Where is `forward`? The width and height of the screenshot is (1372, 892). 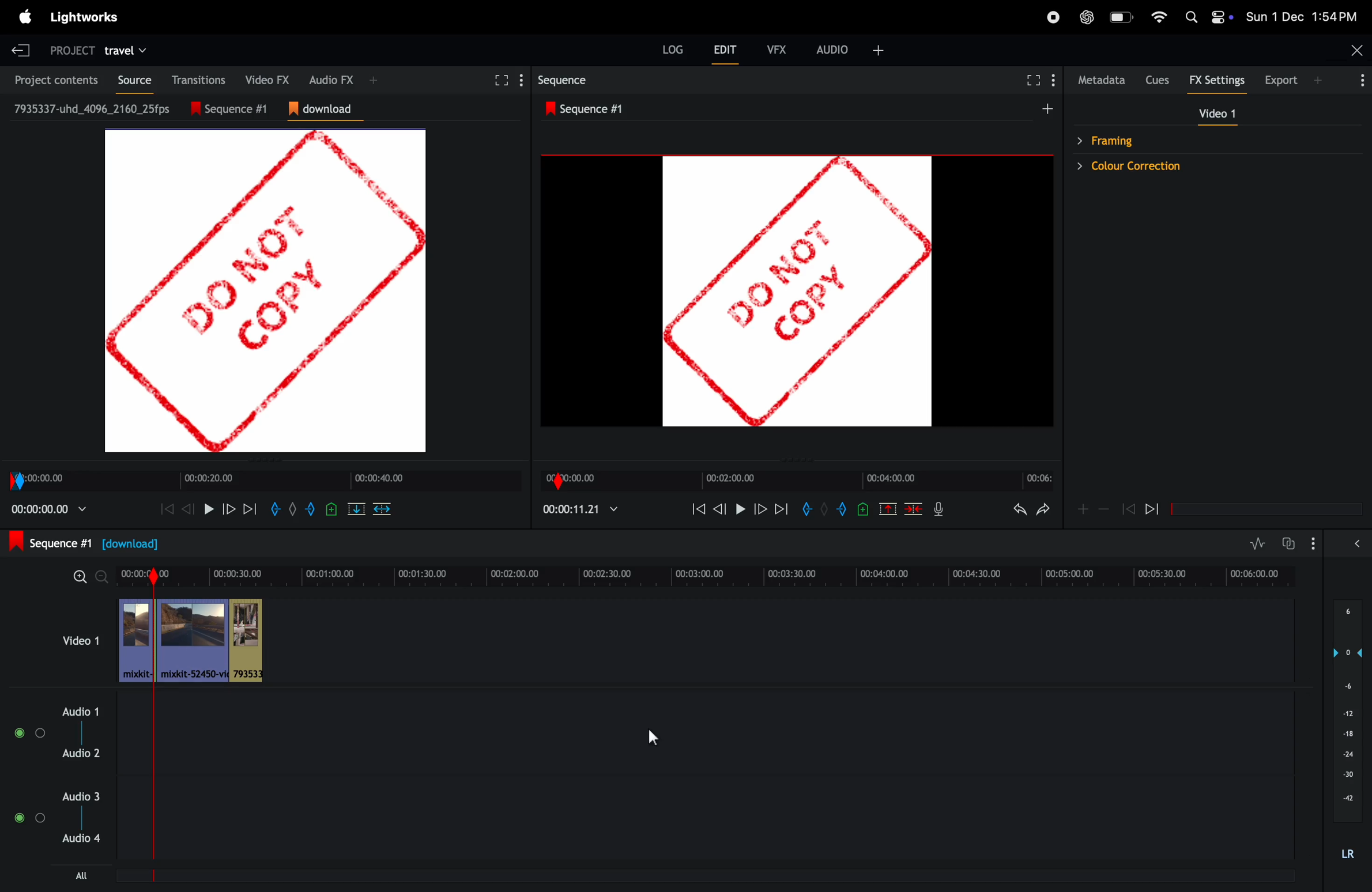 forward is located at coordinates (228, 509).